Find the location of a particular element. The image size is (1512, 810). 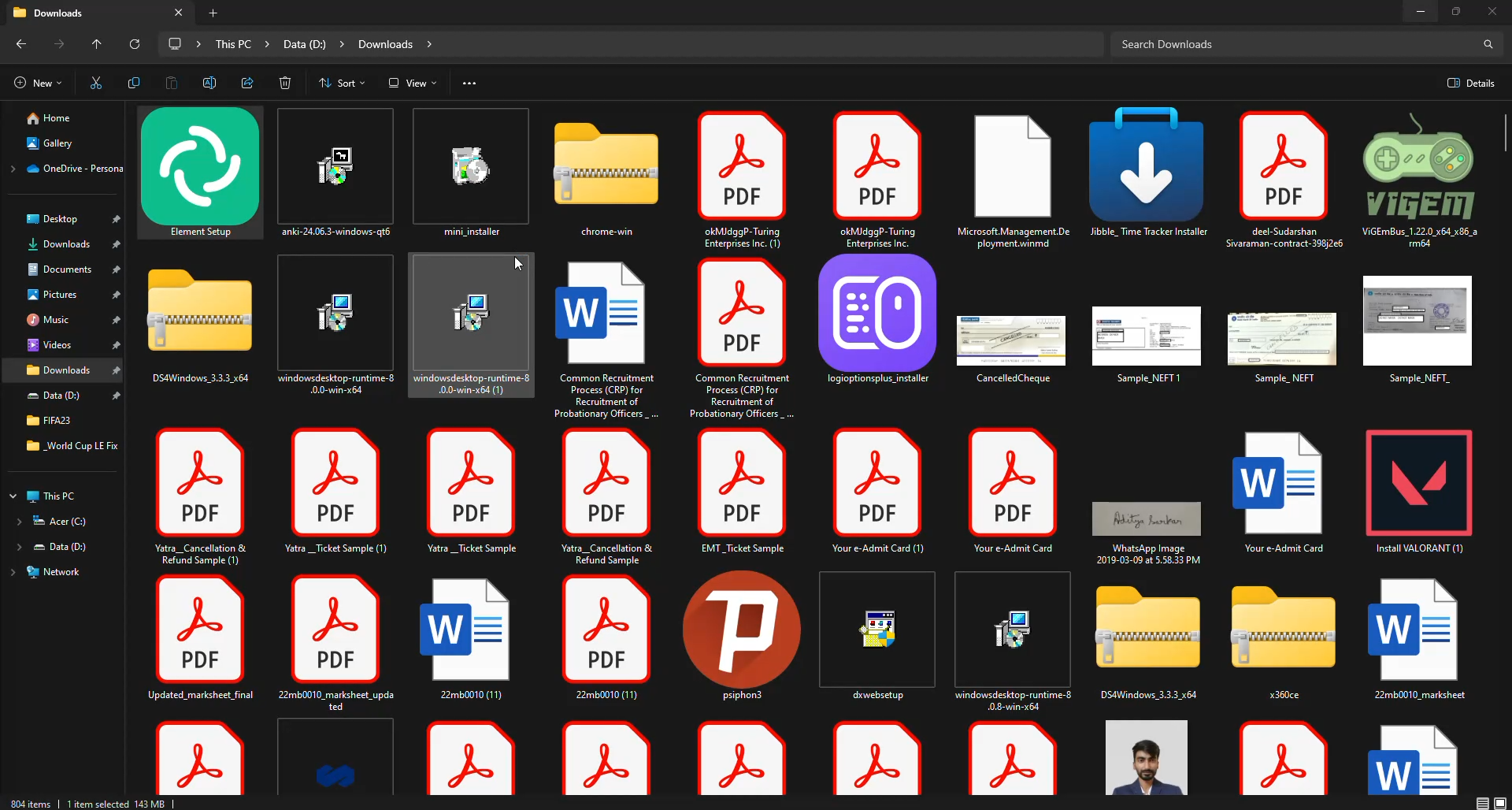

file is located at coordinates (1016, 639).